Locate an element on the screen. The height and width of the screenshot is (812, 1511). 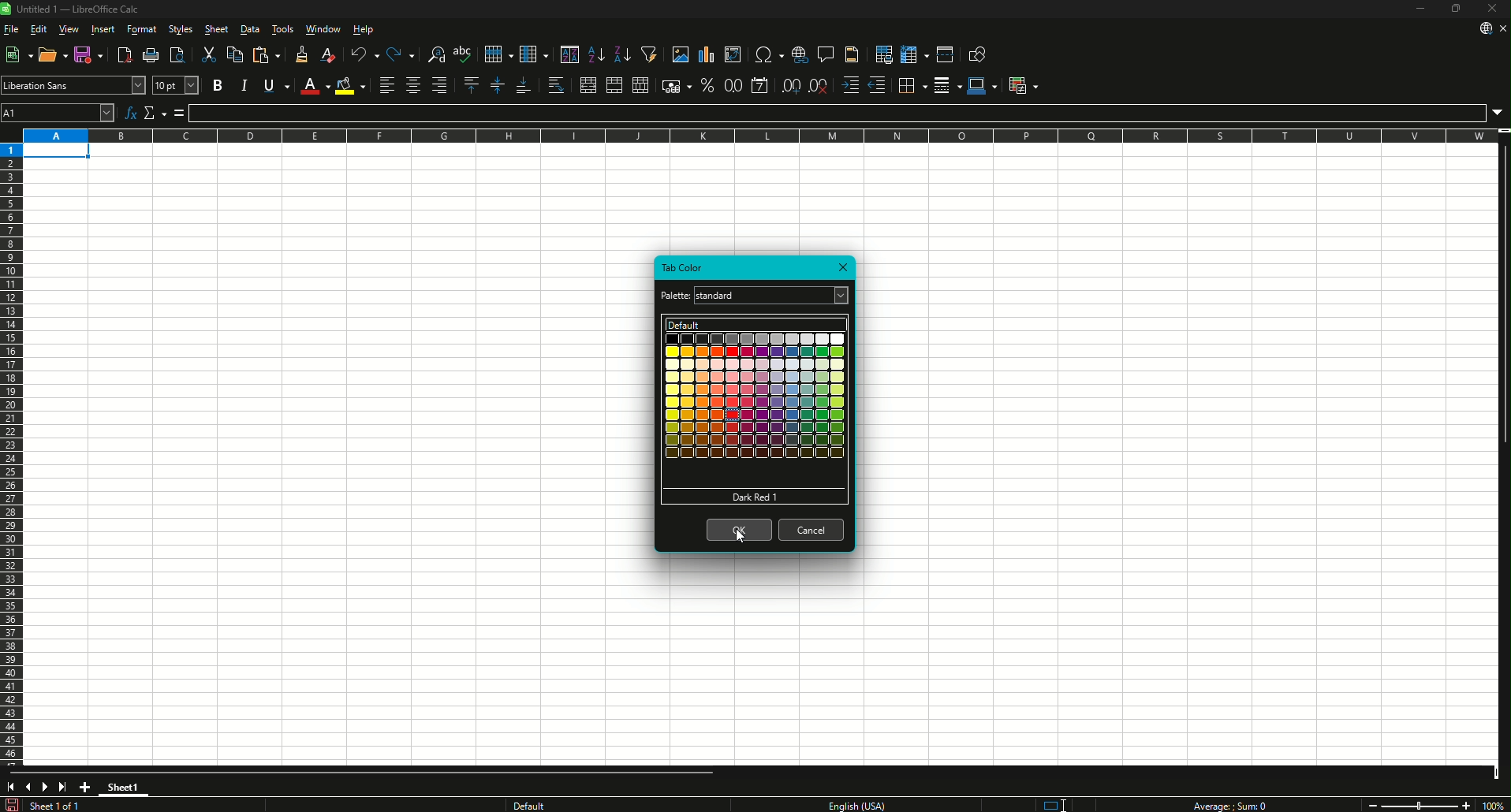
Show Draw Function is located at coordinates (979, 53).